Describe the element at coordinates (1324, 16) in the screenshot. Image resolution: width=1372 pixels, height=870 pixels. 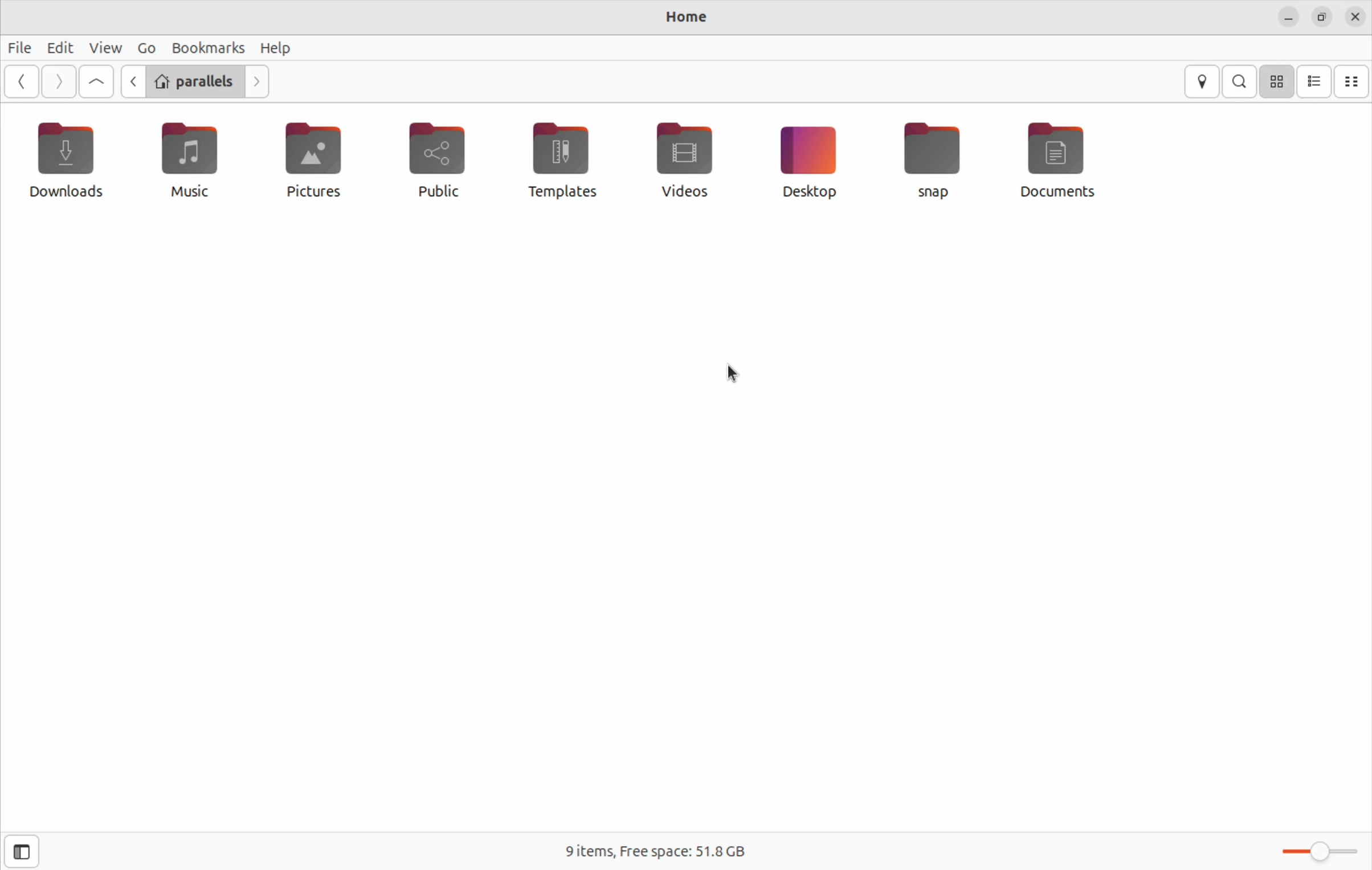
I see `resize` at that location.